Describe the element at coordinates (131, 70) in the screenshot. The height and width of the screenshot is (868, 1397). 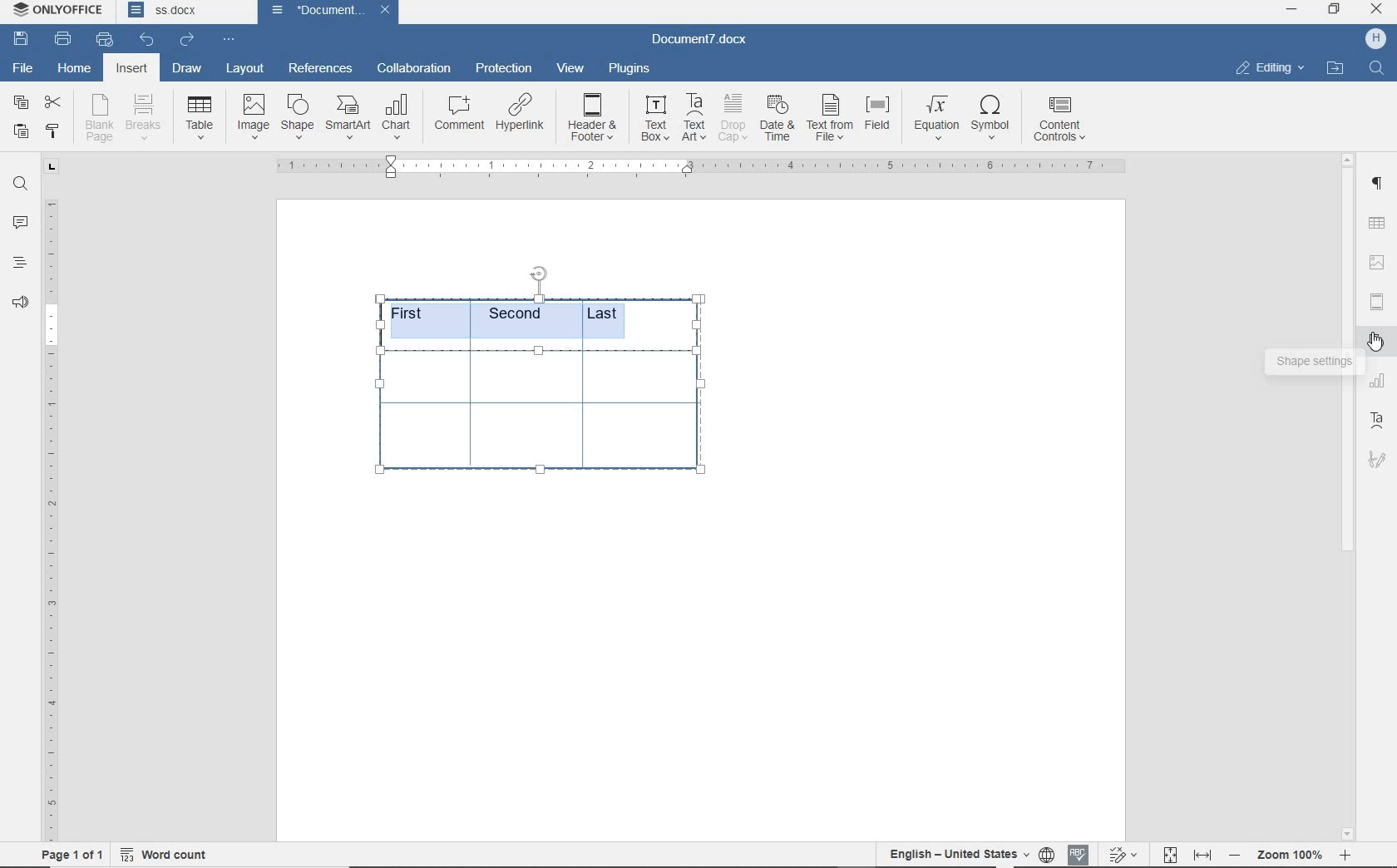
I see `insert` at that location.